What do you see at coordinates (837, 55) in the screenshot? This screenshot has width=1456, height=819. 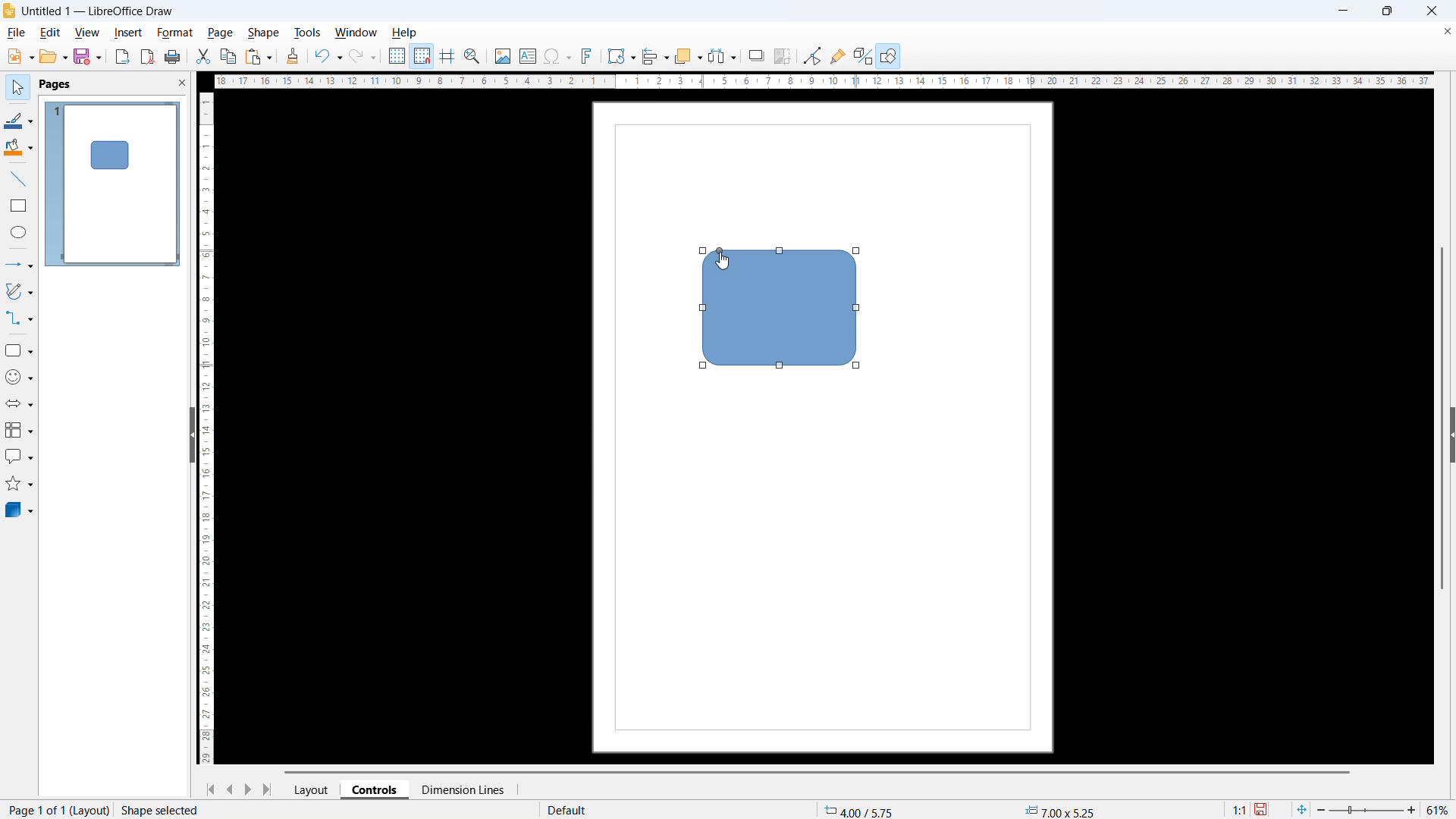 I see `show gluepoint function` at bounding box center [837, 55].